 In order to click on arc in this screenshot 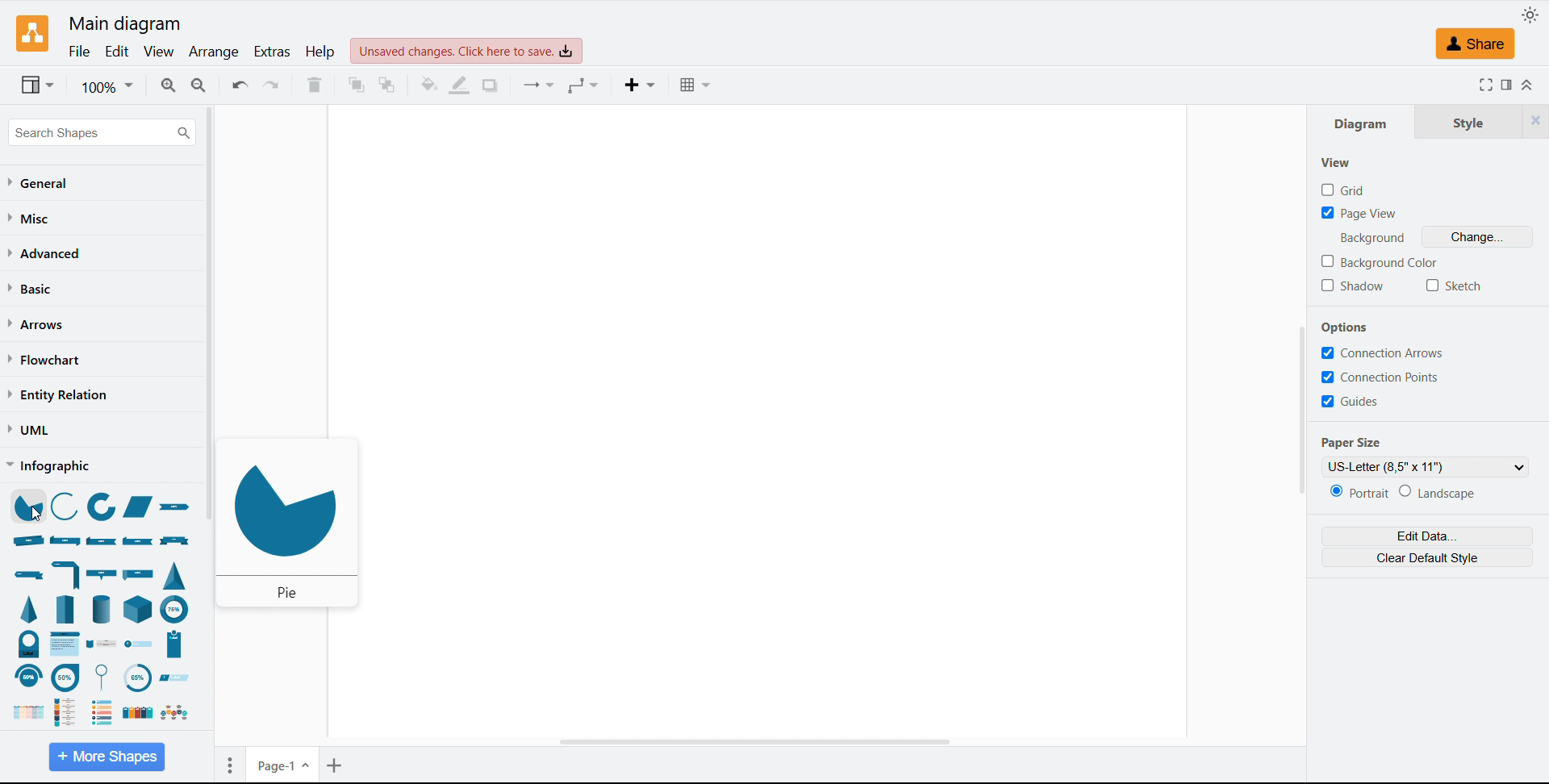, I will do `click(65, 506)`.